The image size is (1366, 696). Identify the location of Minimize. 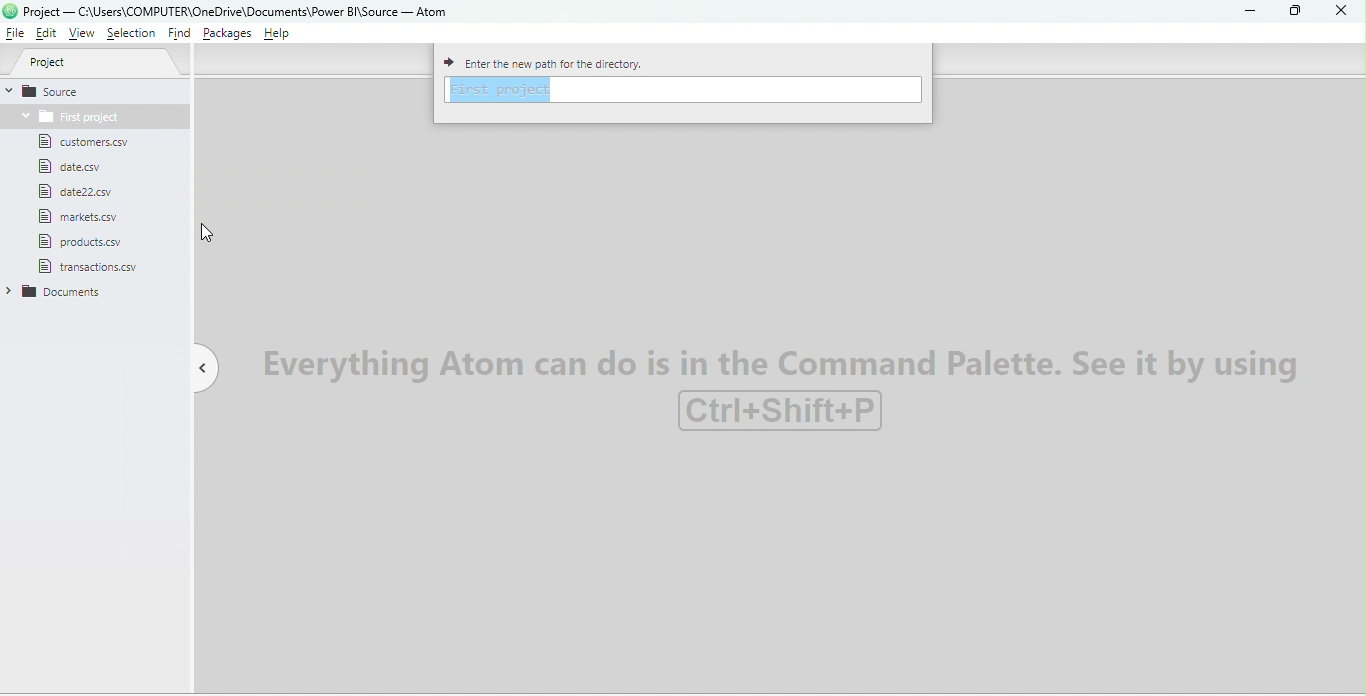
(1247, 11).